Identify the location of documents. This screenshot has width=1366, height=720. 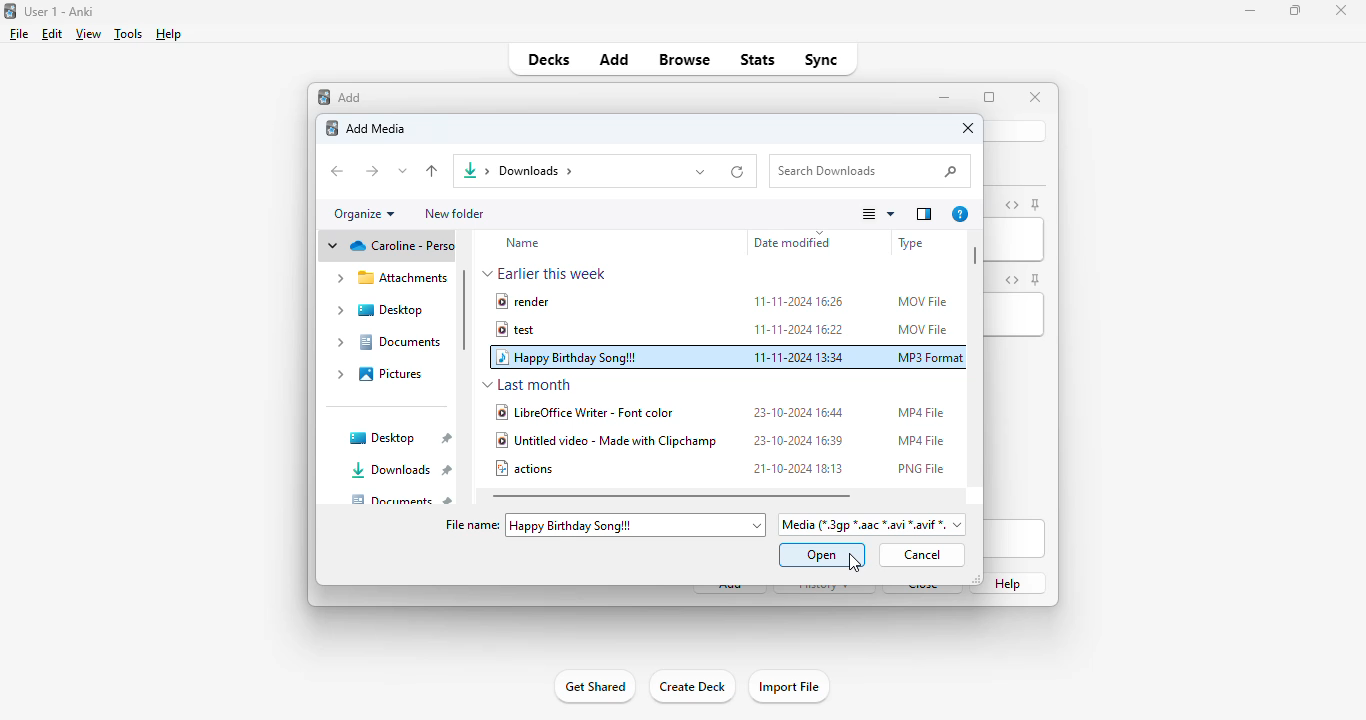
(390, 343).